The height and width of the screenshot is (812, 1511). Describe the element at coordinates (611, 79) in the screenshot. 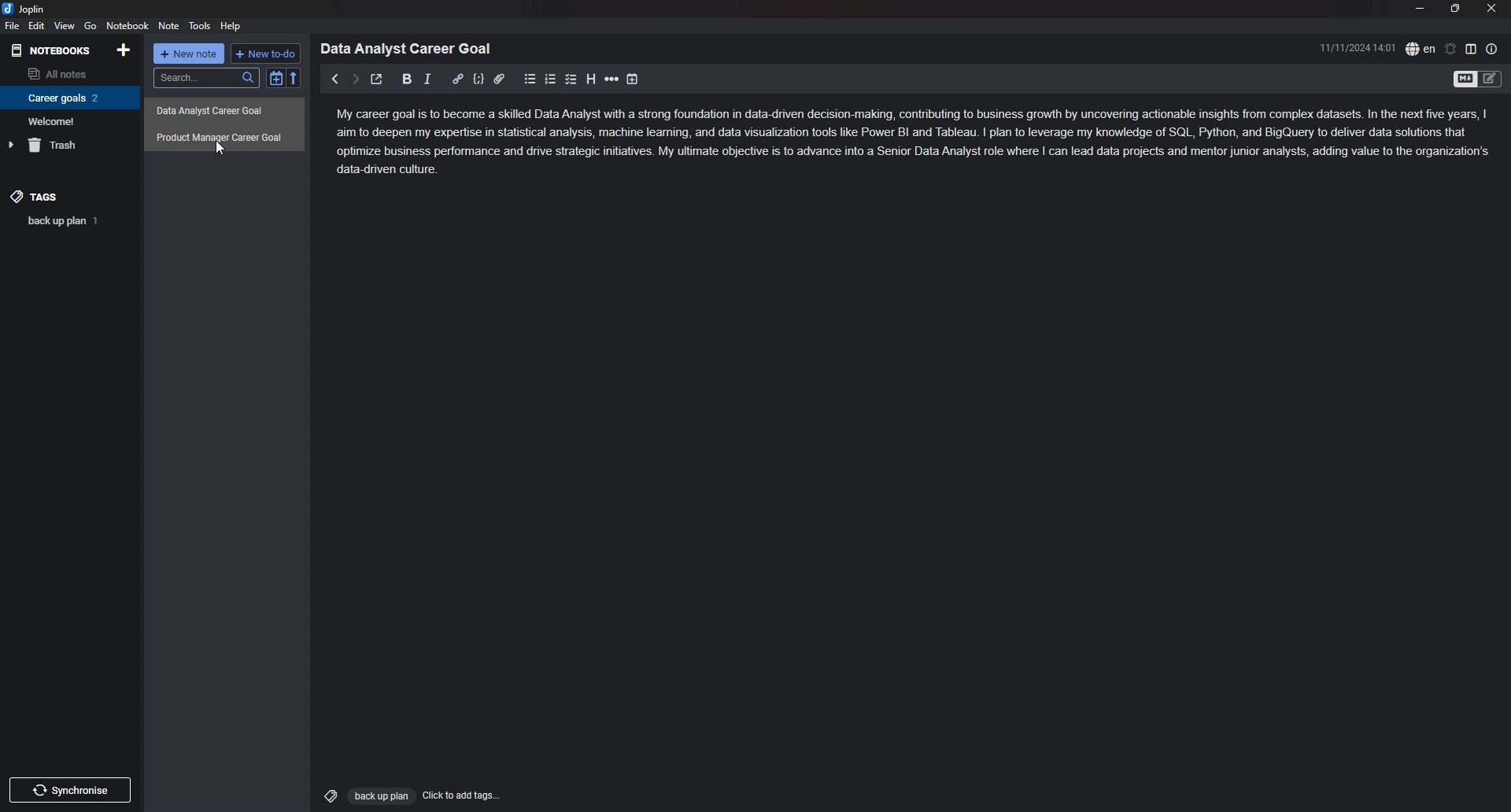

I see `horizontal rule` at that location.